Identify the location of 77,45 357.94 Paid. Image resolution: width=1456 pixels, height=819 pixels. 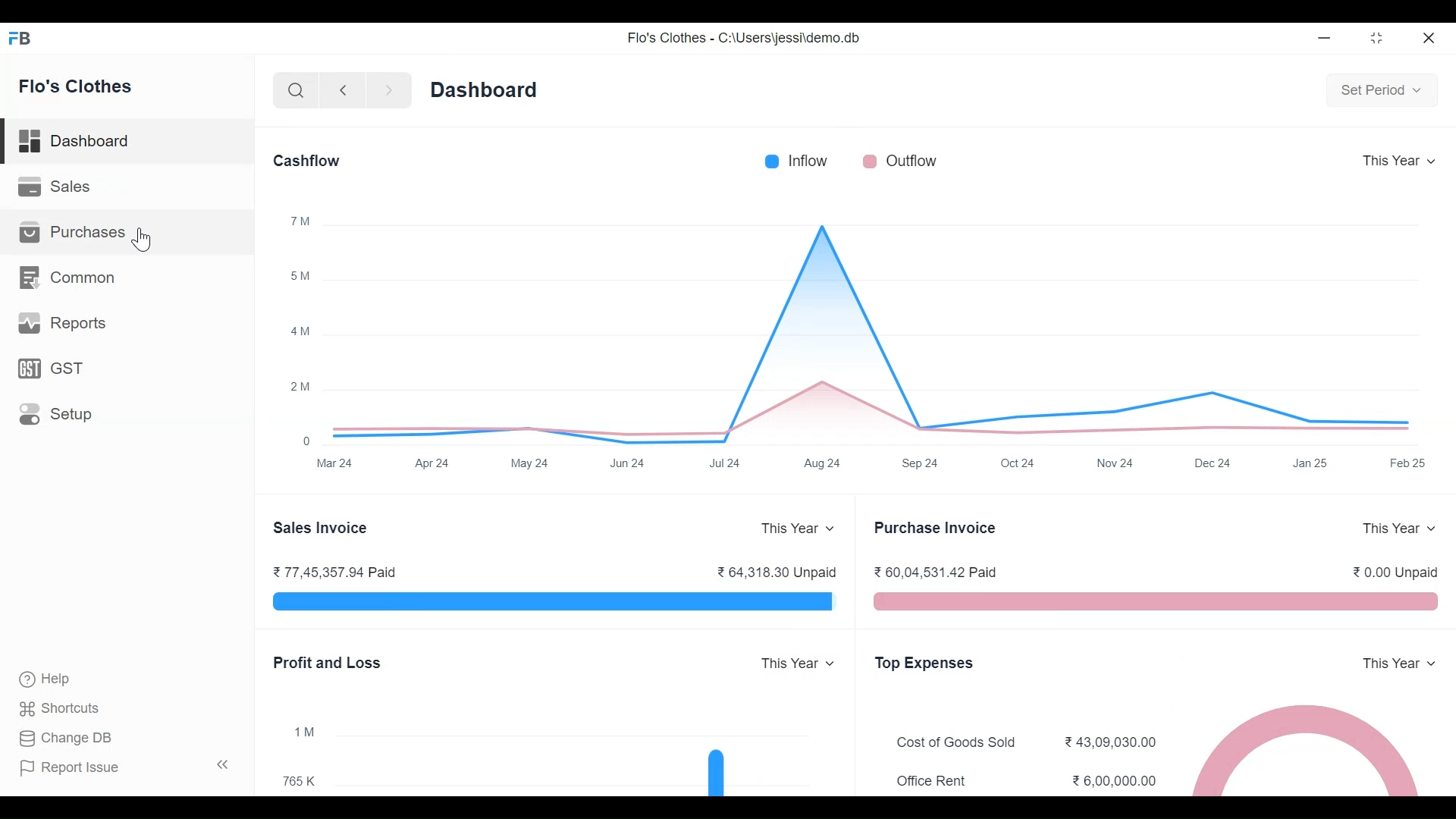
(334, 572).